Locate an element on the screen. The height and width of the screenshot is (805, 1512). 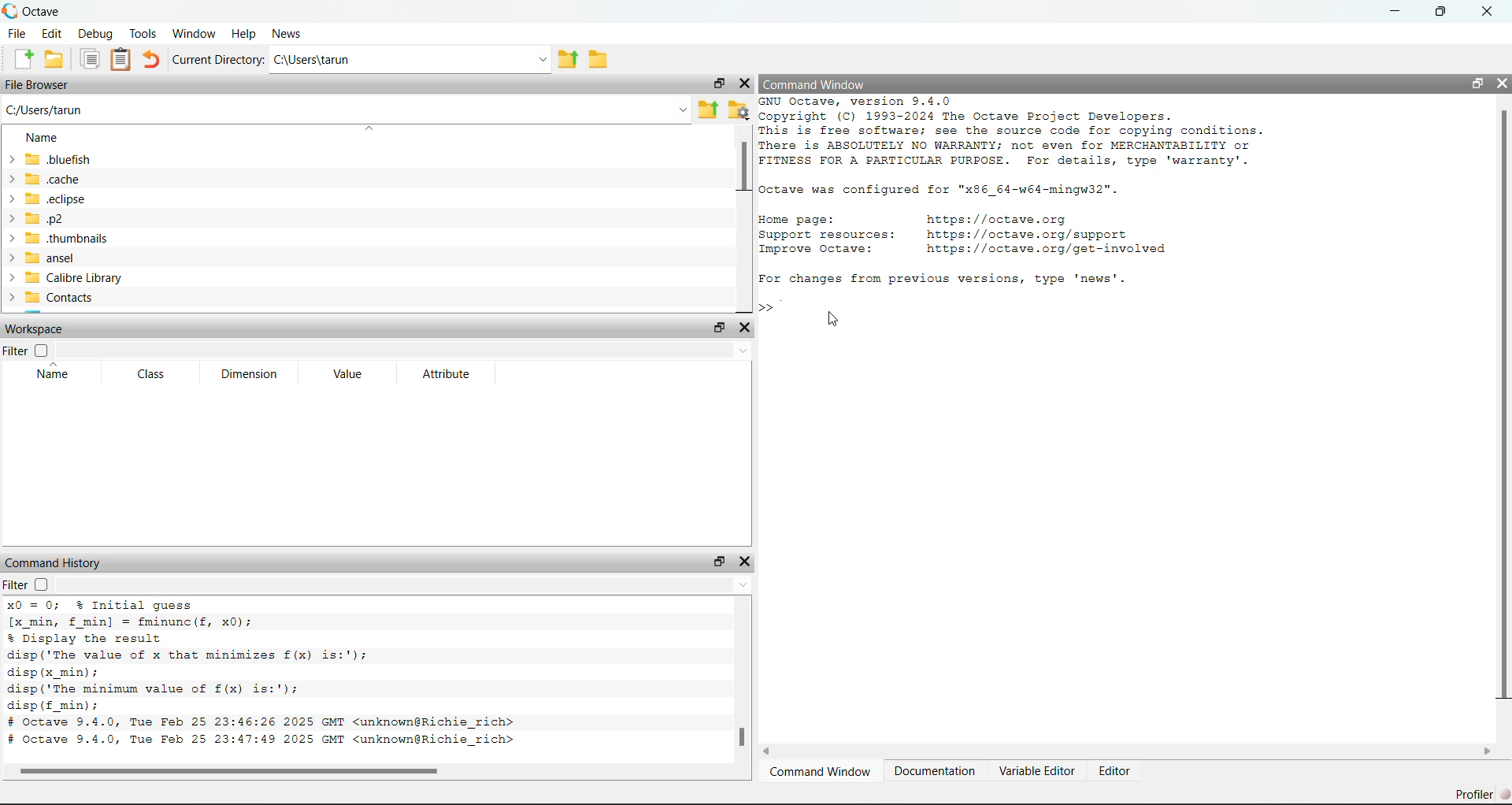
Cursor is located at coordinates (843, 316).